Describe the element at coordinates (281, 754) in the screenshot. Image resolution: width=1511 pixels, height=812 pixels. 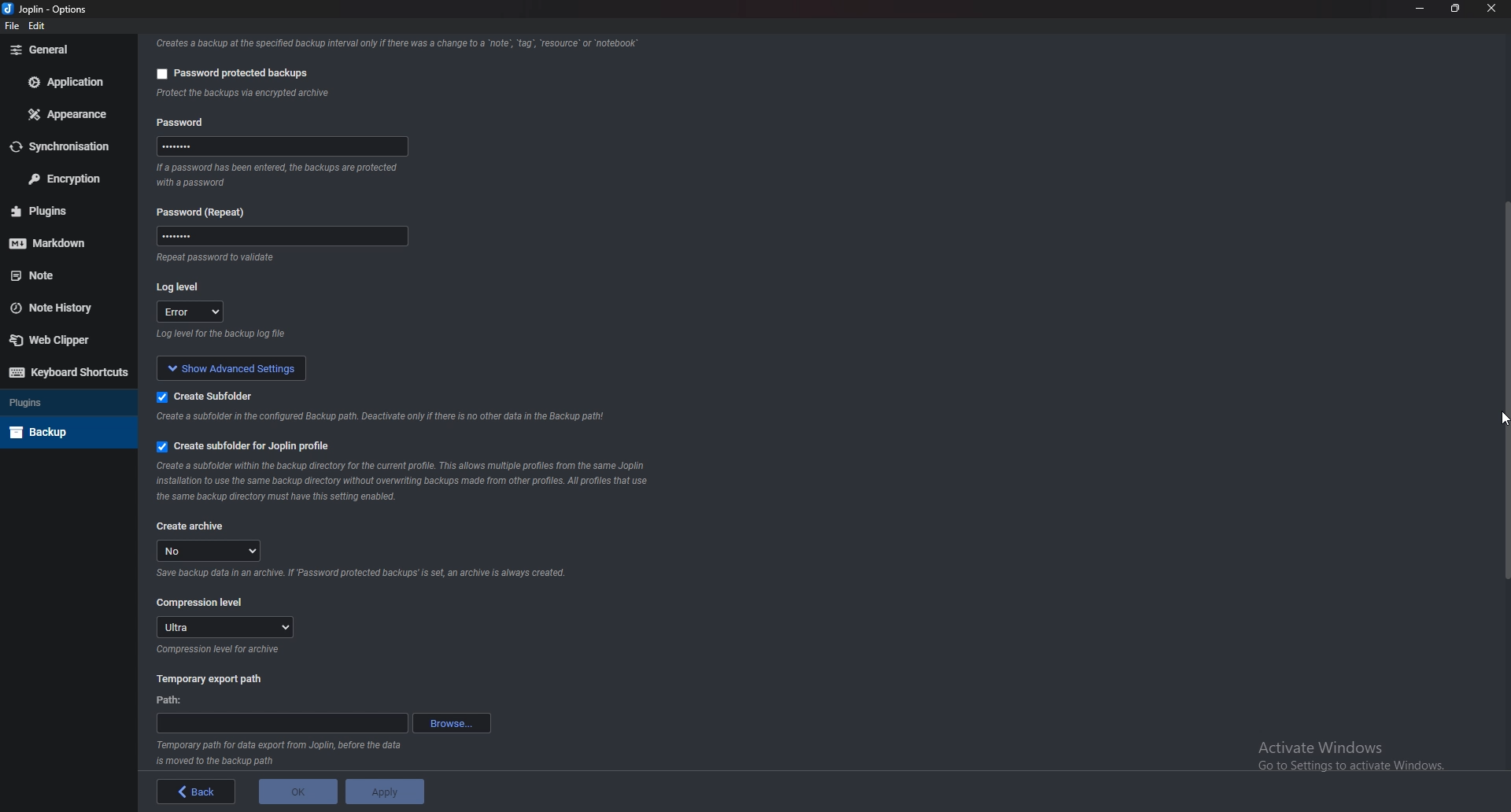
I see `Info` at that location.